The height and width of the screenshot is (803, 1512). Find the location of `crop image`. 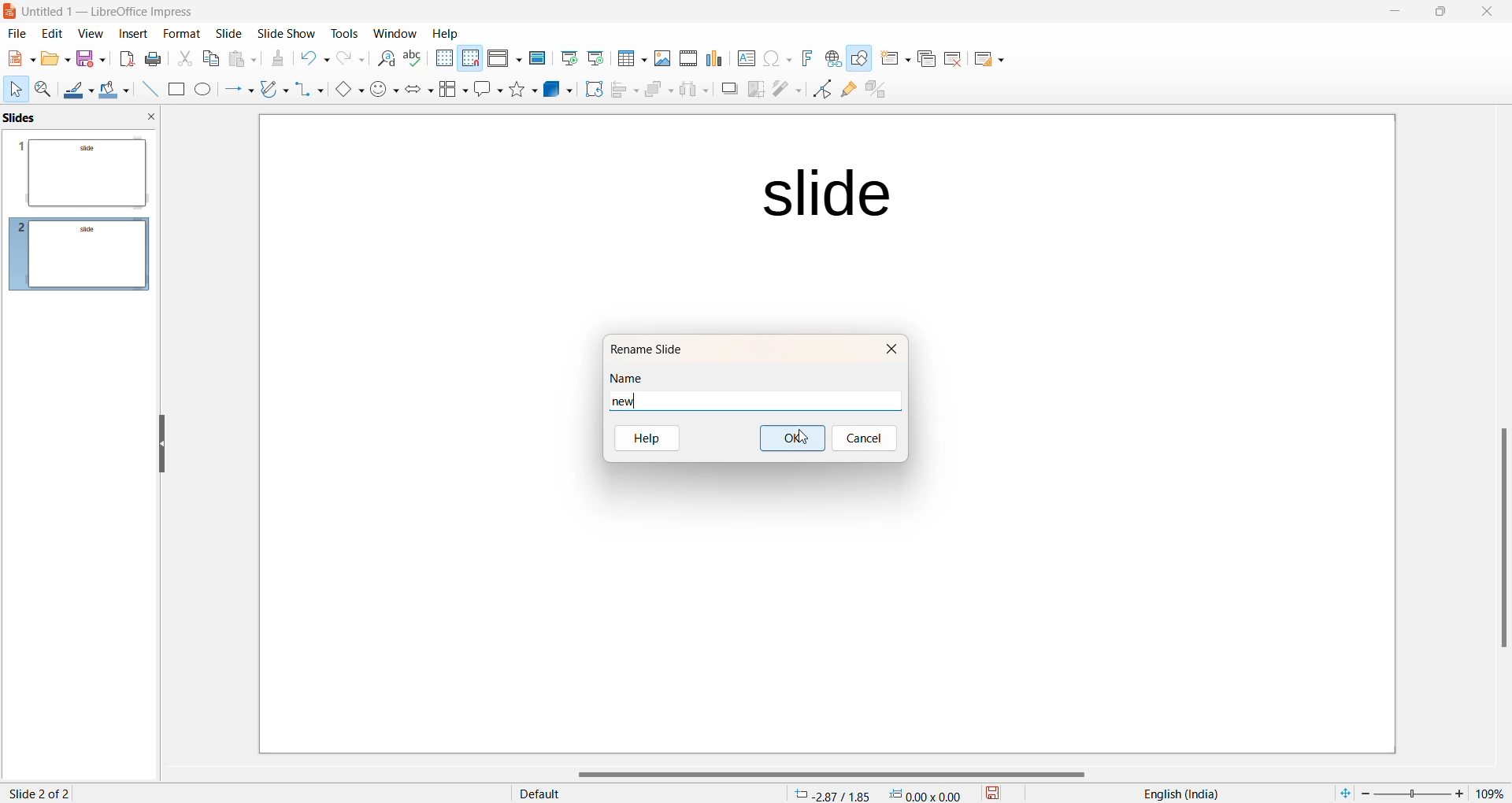

crop image is located at coordinates (754, 90).